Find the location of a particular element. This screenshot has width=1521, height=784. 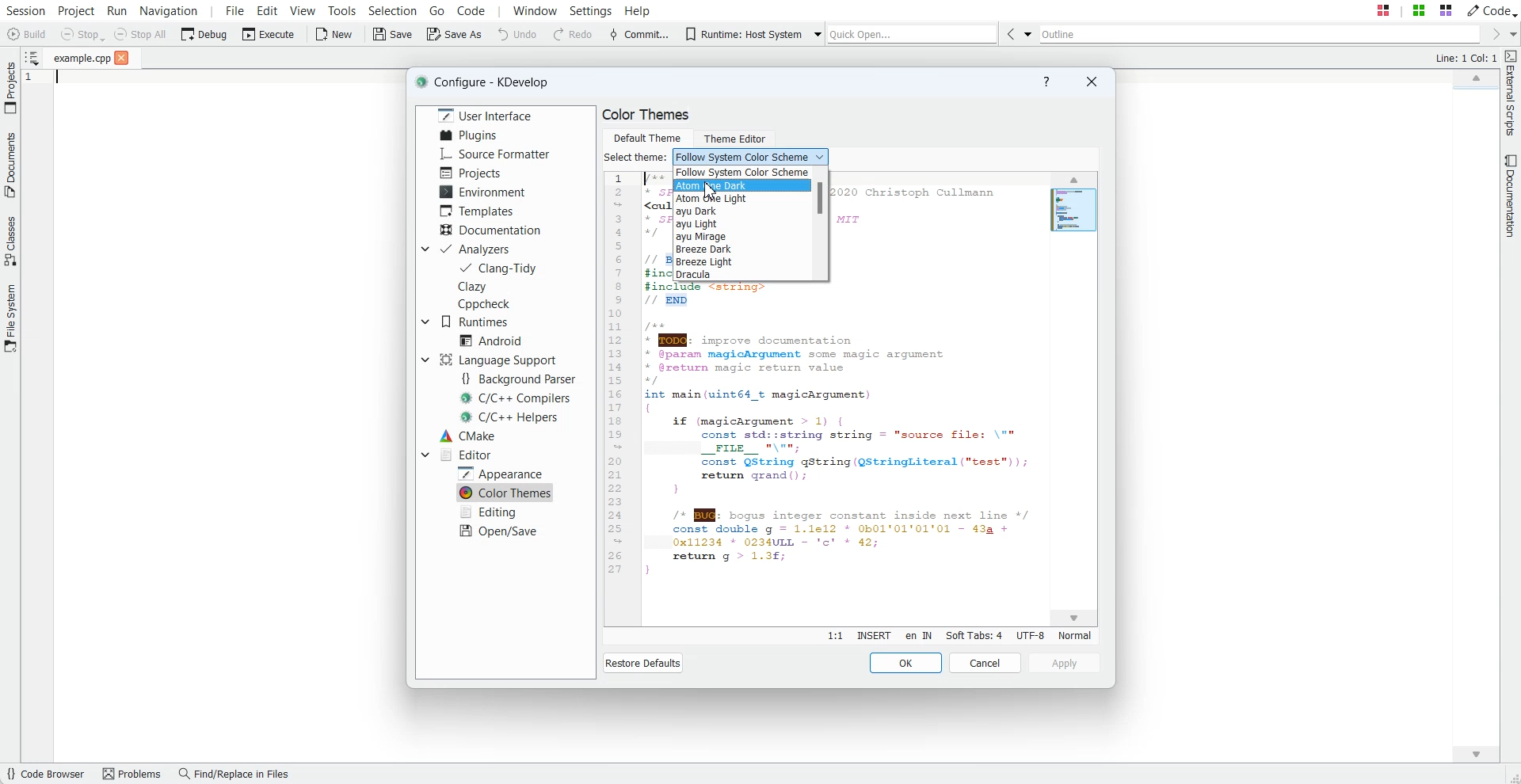

Execute is located at coordinates (269, 34).